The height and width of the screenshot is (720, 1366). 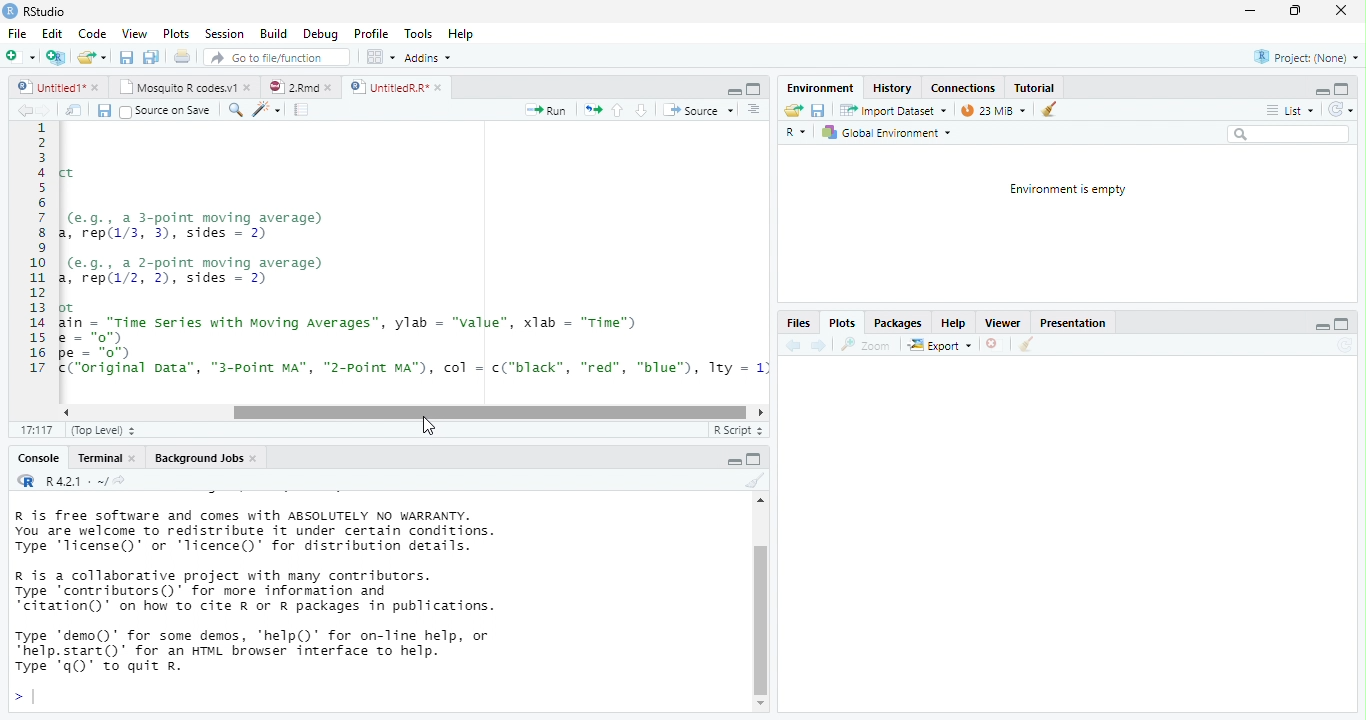 I want to click on back, so click(x=791, y=345).